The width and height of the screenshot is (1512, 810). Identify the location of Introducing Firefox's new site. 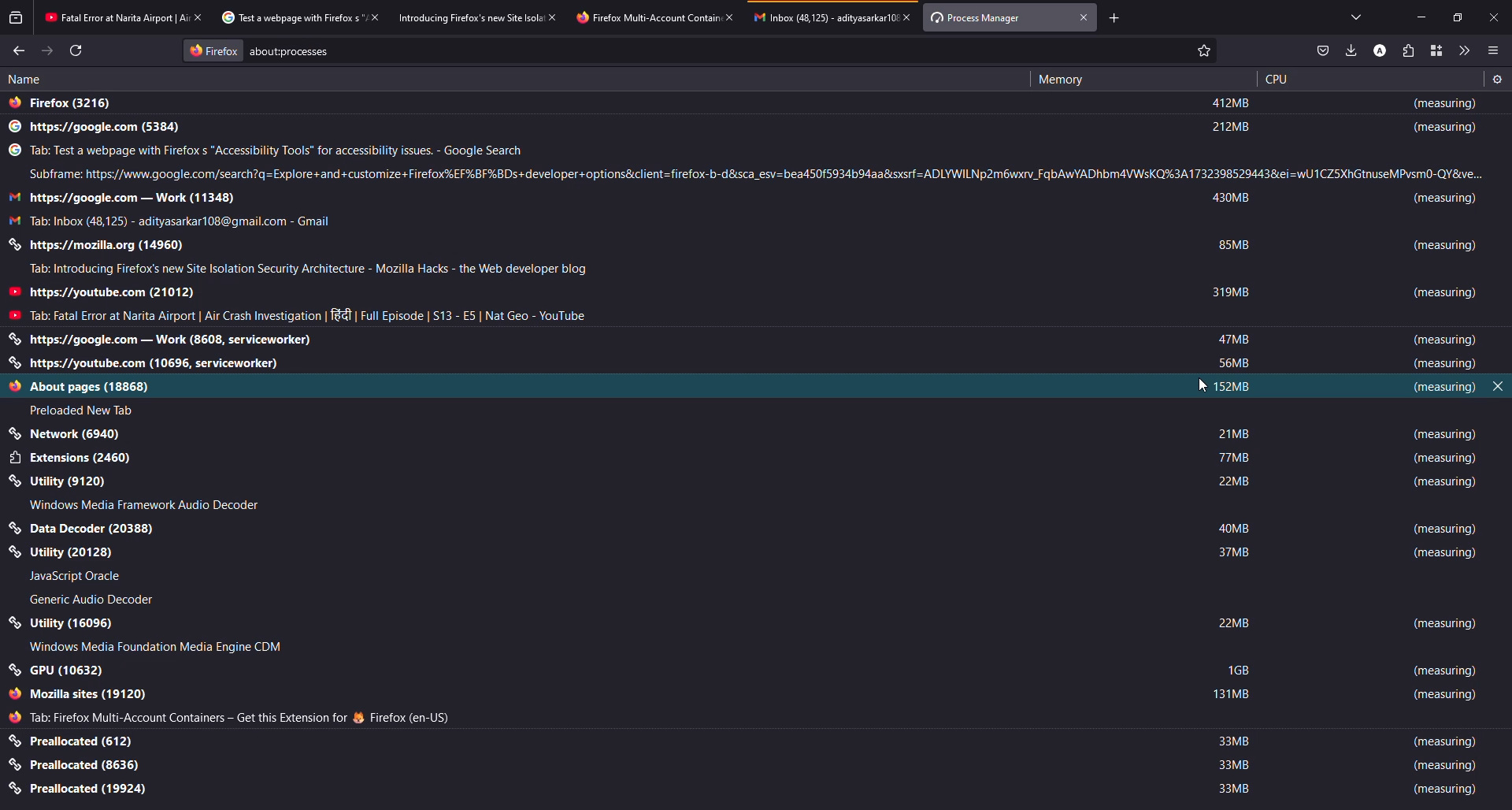
(464, 20).